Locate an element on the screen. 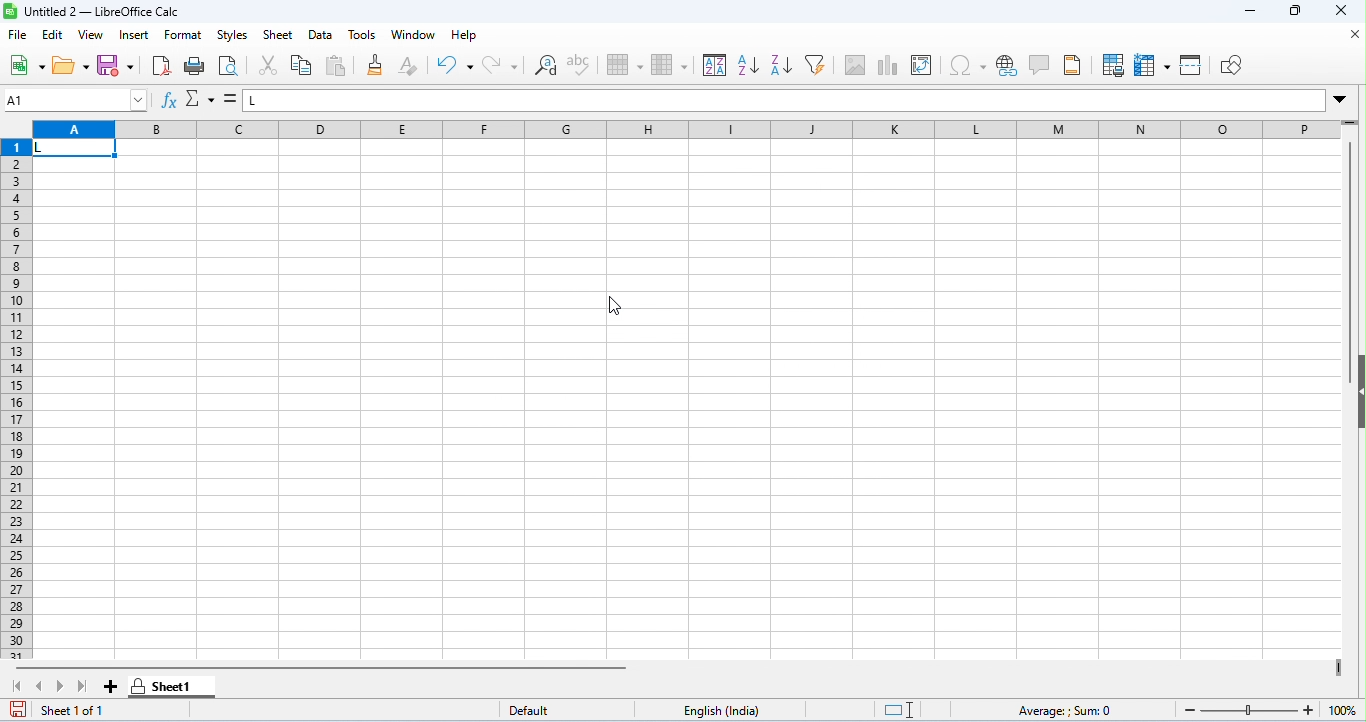 Image resolution: width=1366 pixels, height=722 pixels. close is located at coordinates (1339, 11).